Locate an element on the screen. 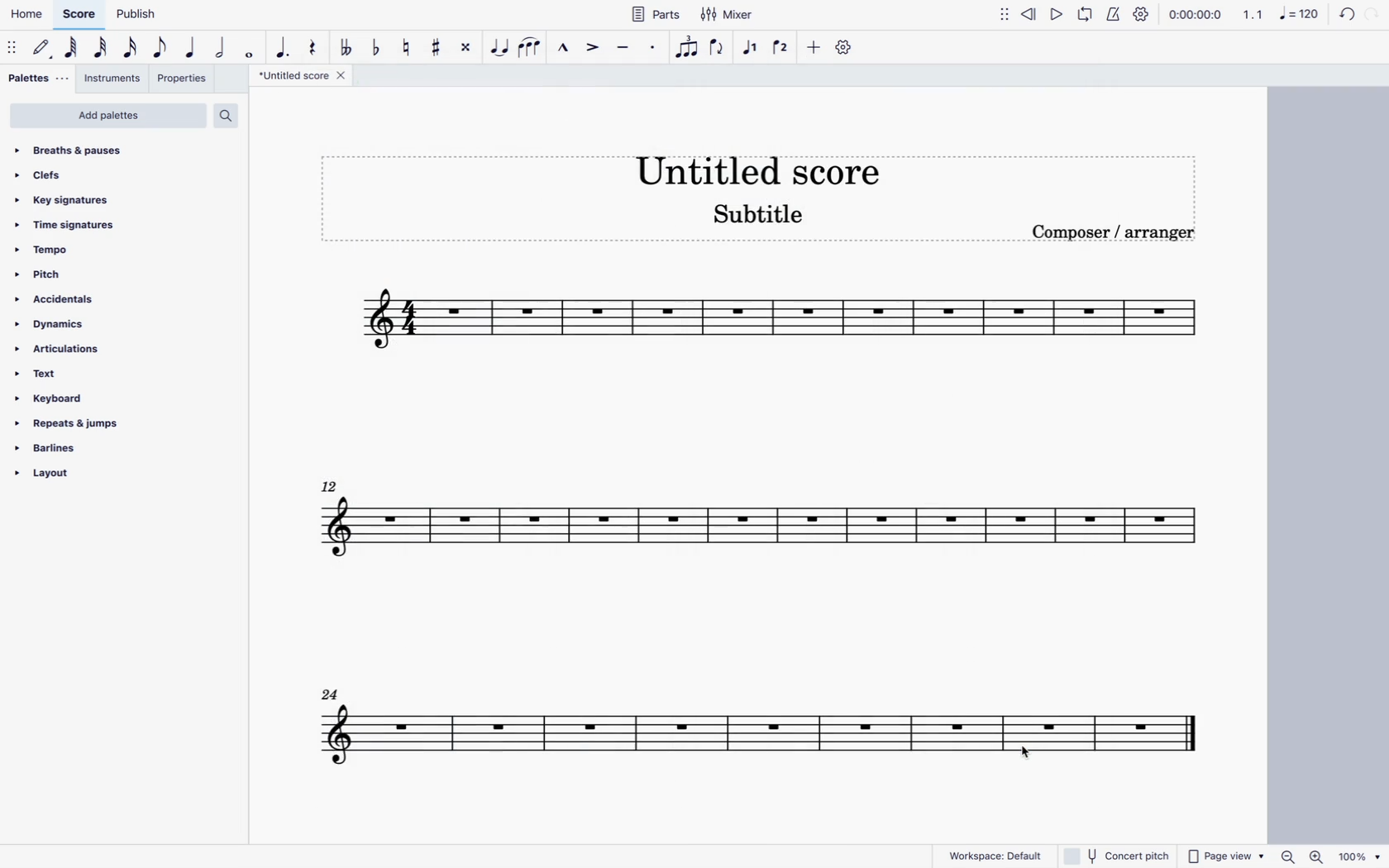  repeats & jumps is located at coordinates (74, 424).